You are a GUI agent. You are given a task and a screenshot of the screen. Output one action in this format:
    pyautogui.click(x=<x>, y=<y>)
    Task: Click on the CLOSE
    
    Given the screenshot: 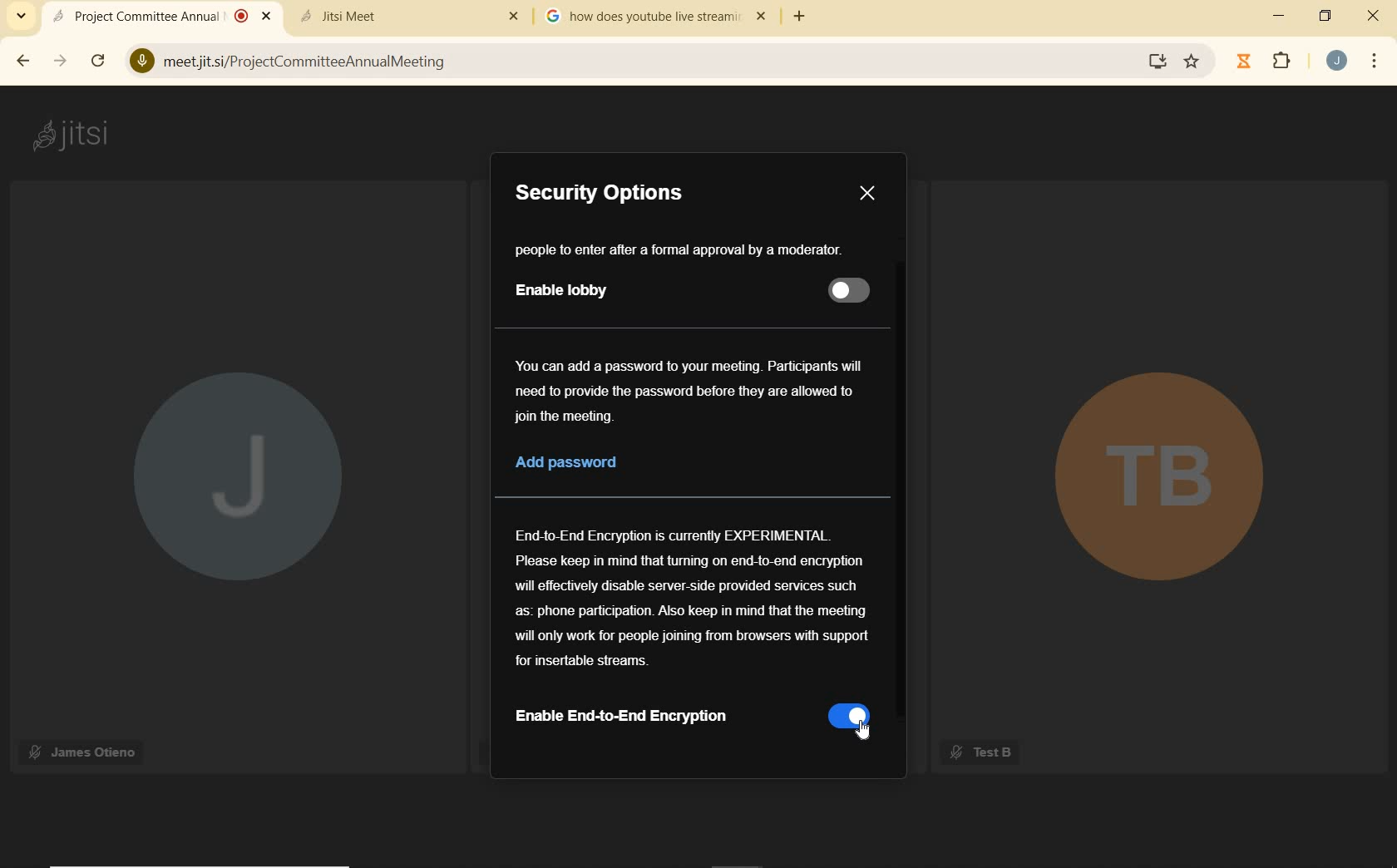 What is the action you would take?
    pyautogui.click(x=1368, y=15)
    